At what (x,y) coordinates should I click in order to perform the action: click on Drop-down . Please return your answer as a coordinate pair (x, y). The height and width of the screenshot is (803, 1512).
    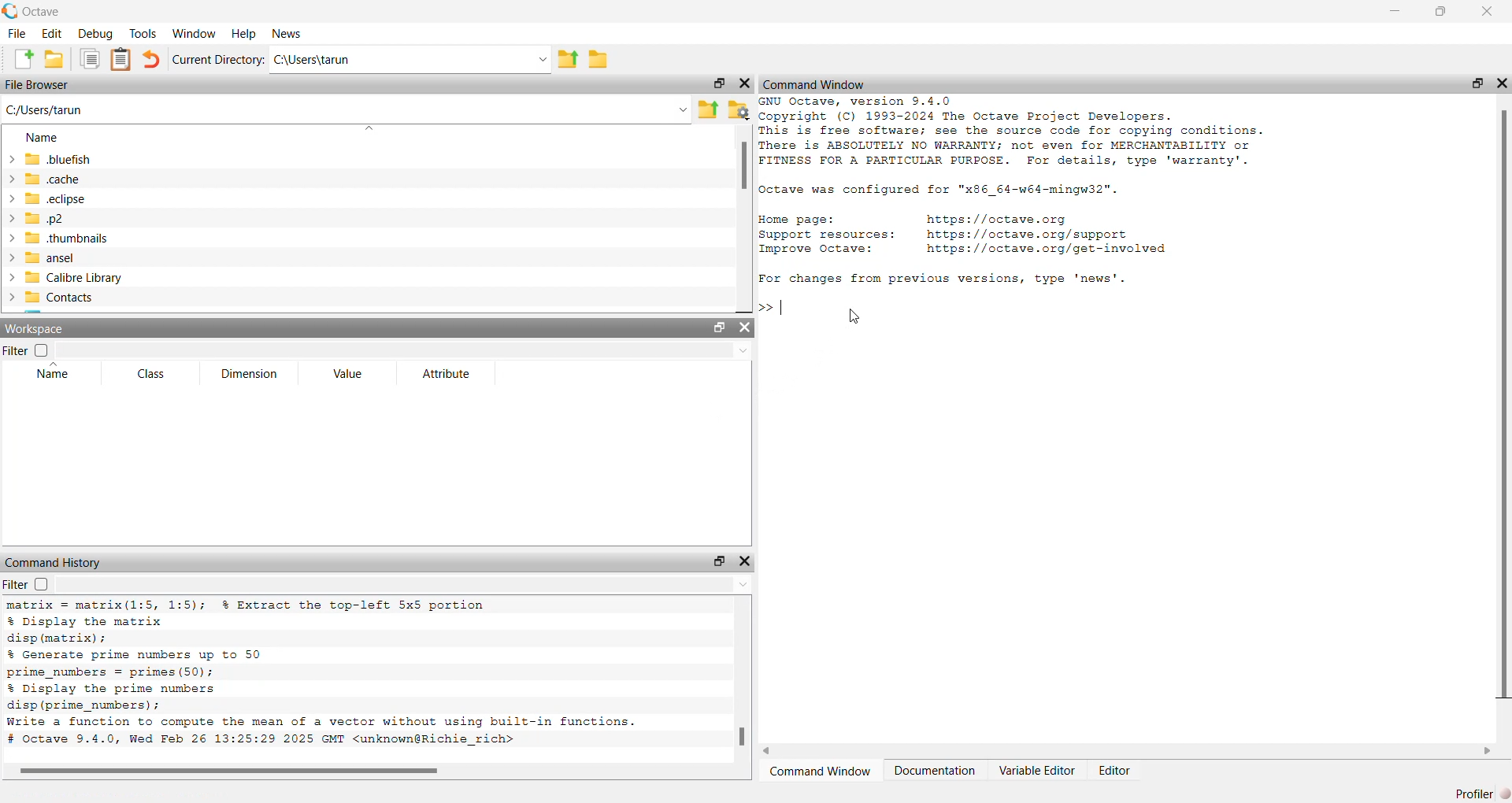
    Looking at the image, I should click on (683, 111).